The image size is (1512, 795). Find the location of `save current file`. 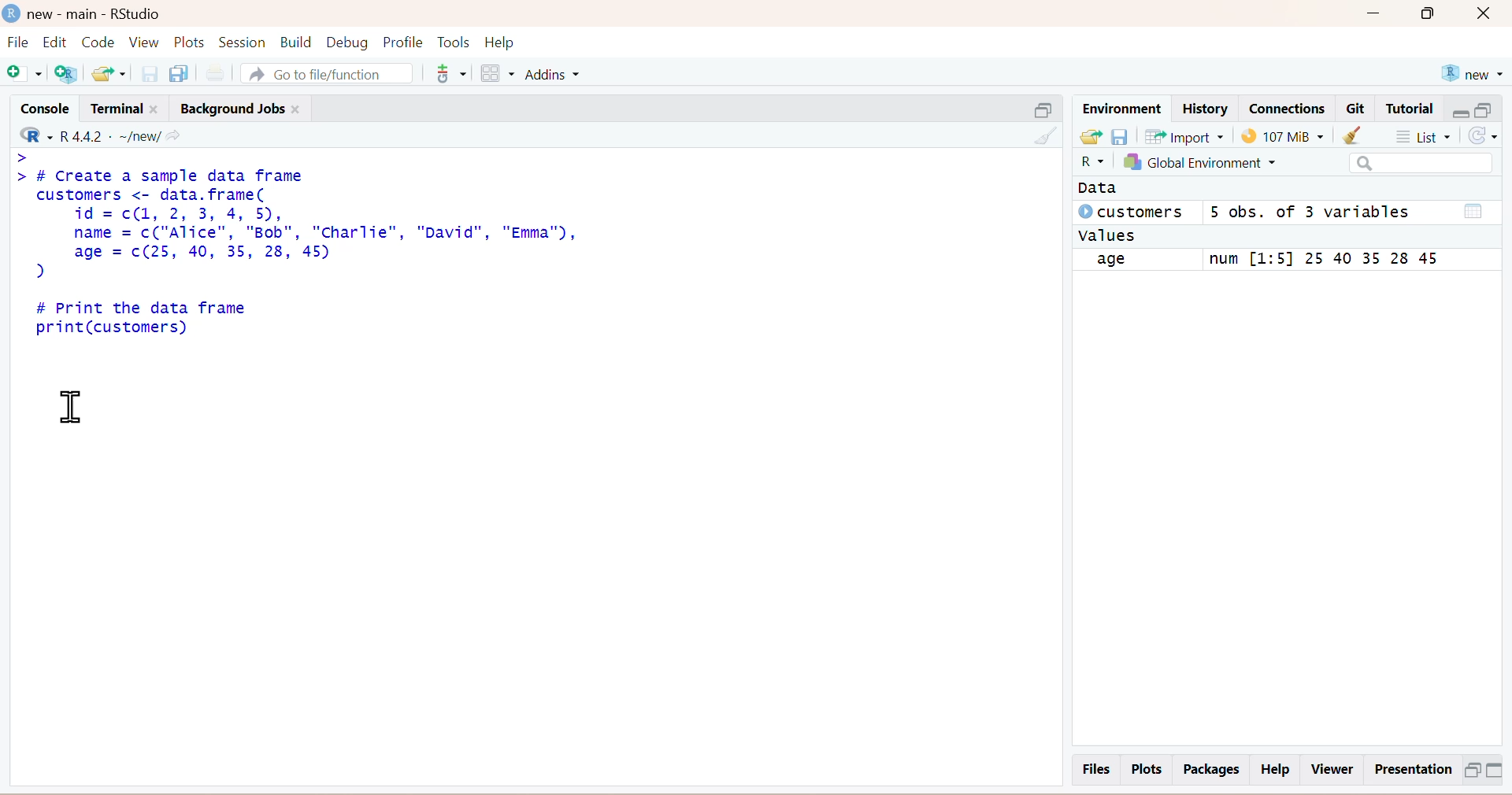

save current file is located at coordinates (150, 72).